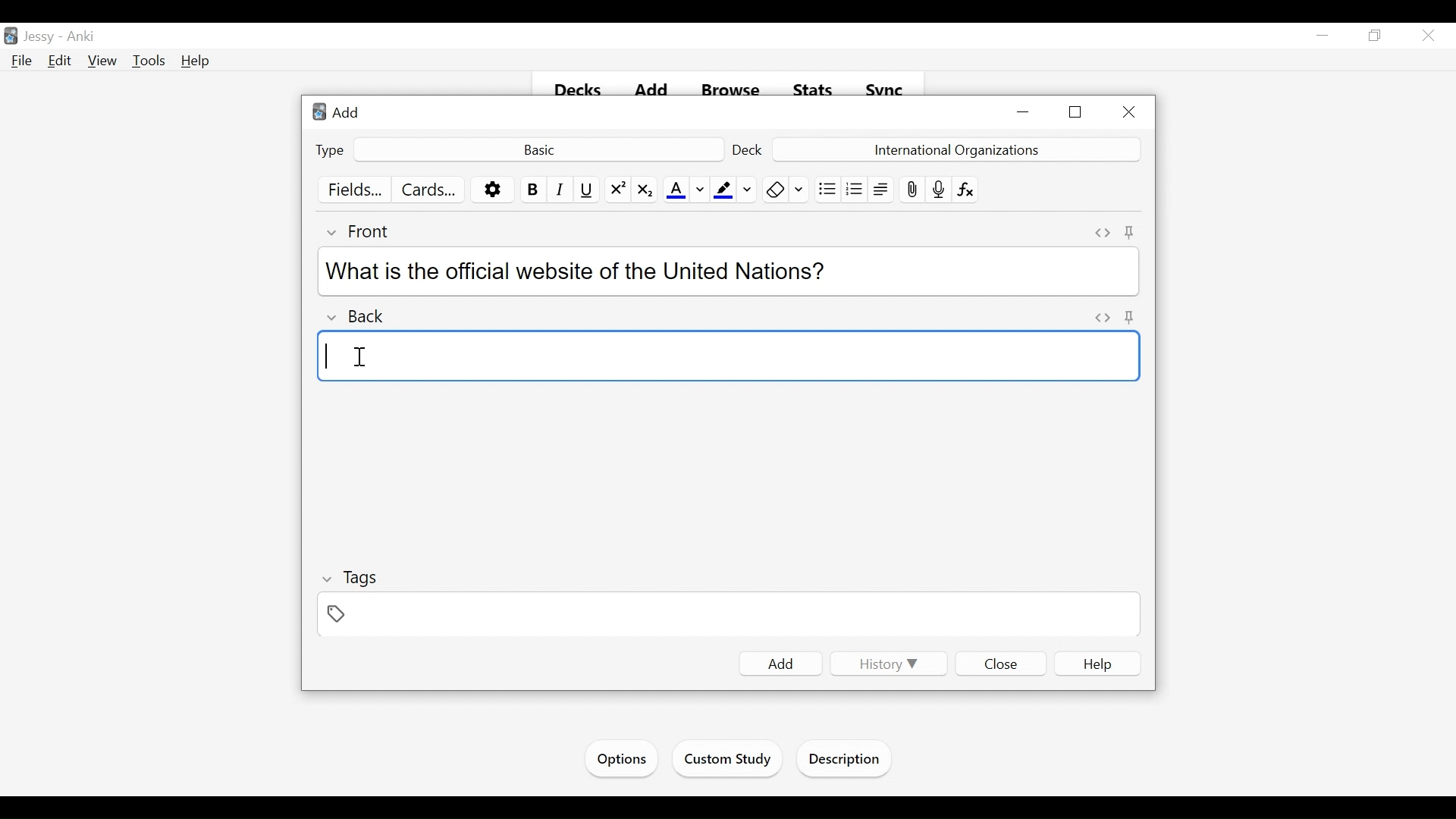  I want to click on Selecting Formatting to Remove, so click(799, 189).